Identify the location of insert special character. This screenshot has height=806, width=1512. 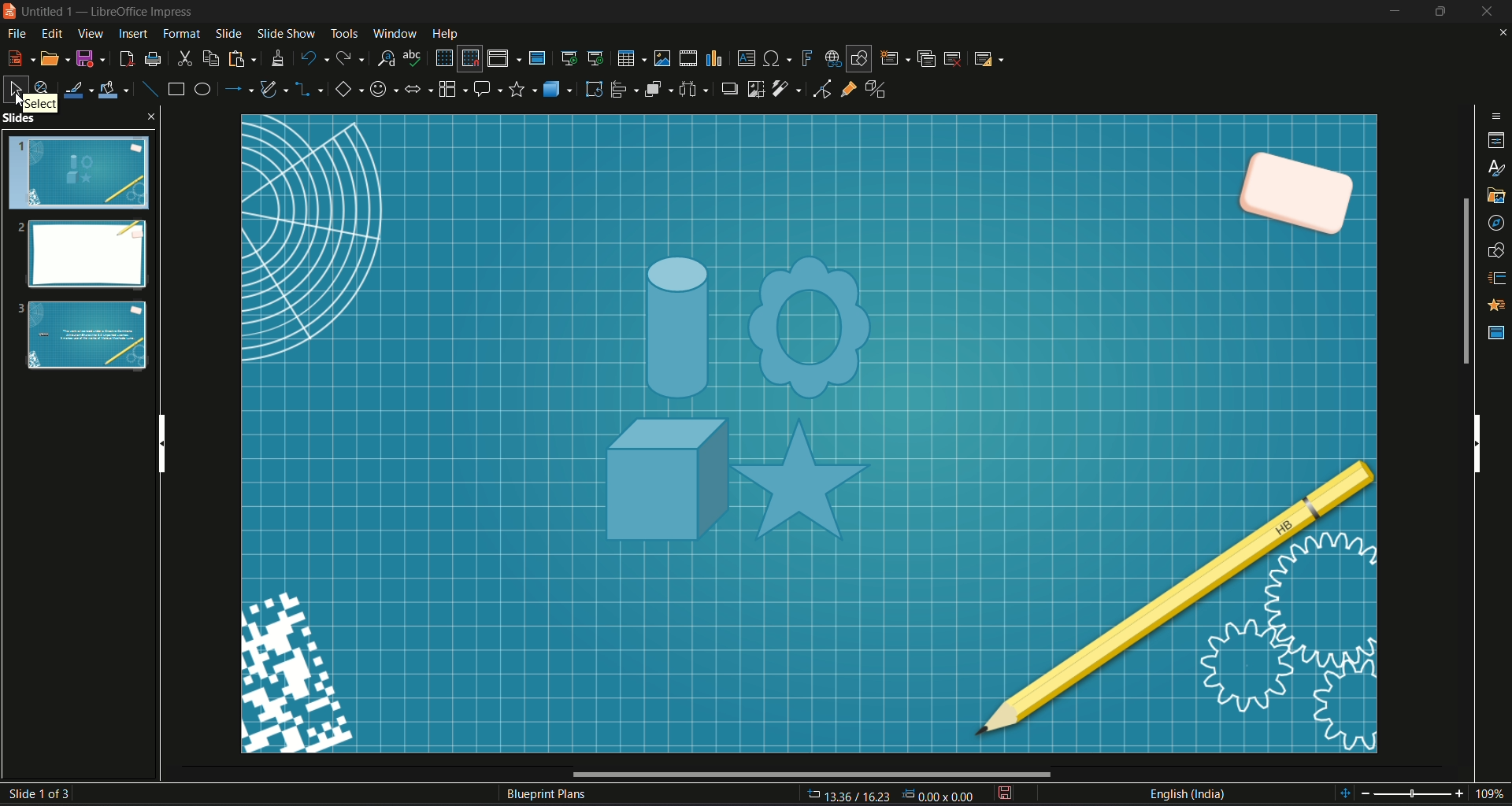
(778, 57).